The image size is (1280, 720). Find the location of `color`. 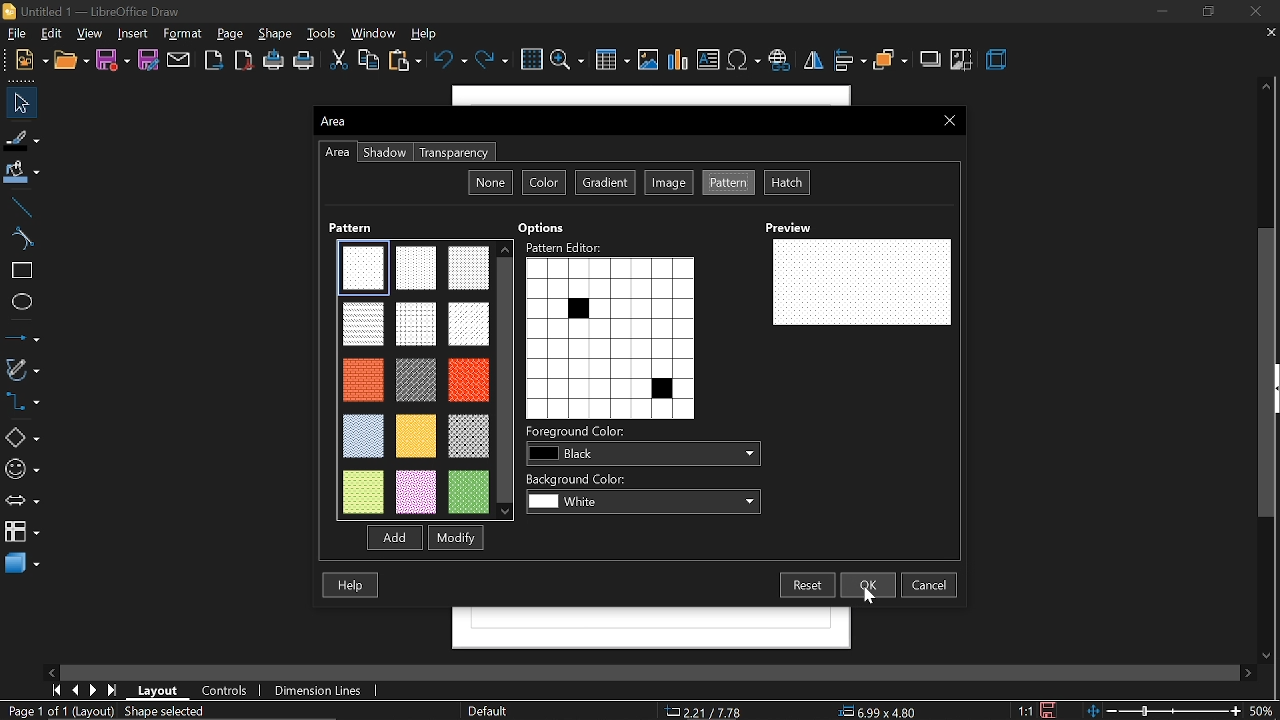

color is located at coordinates (542, 184).